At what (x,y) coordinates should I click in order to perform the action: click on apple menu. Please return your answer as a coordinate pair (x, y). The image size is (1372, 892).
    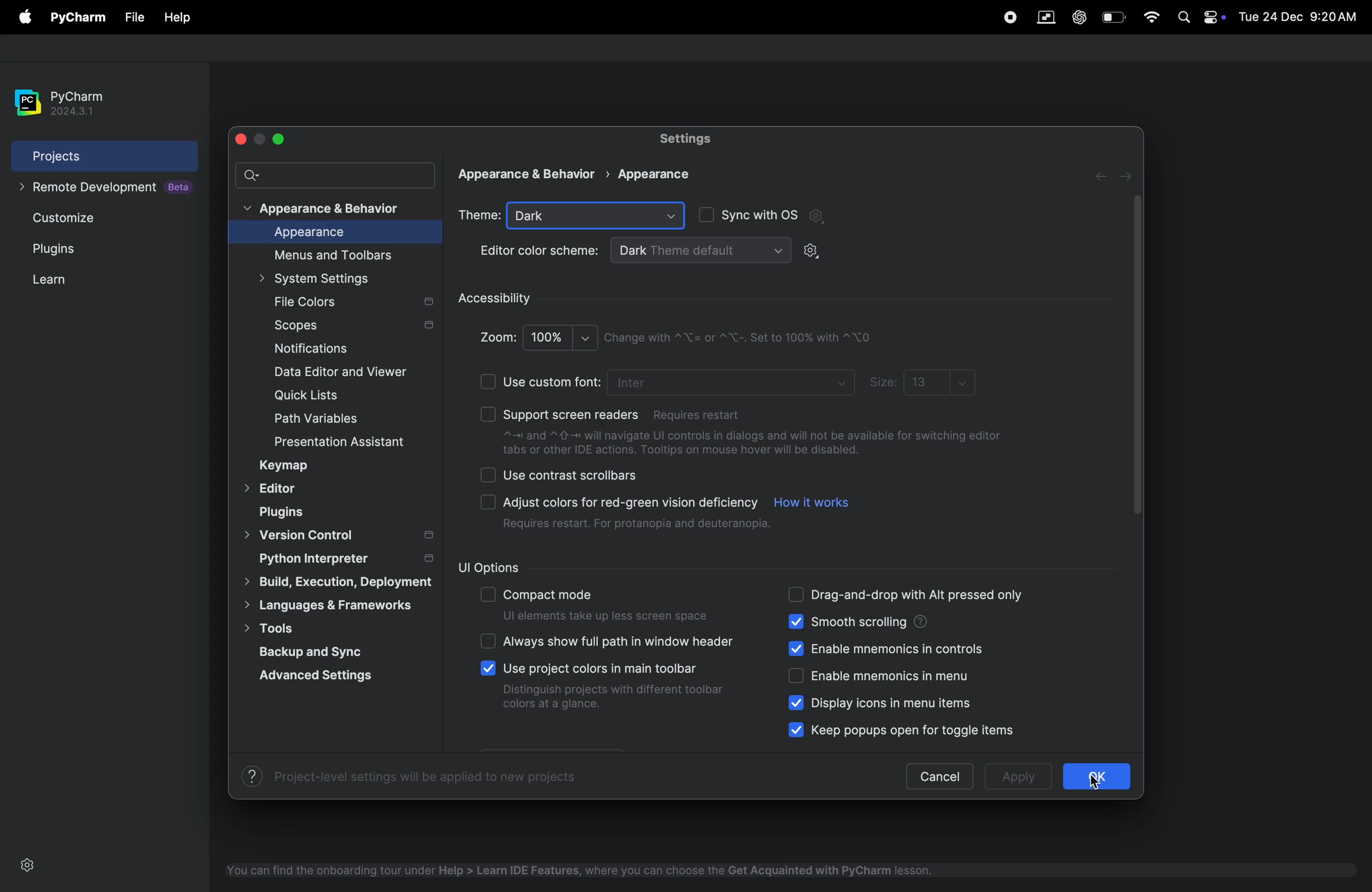
    Looking at the image, I should click on (27, 18).